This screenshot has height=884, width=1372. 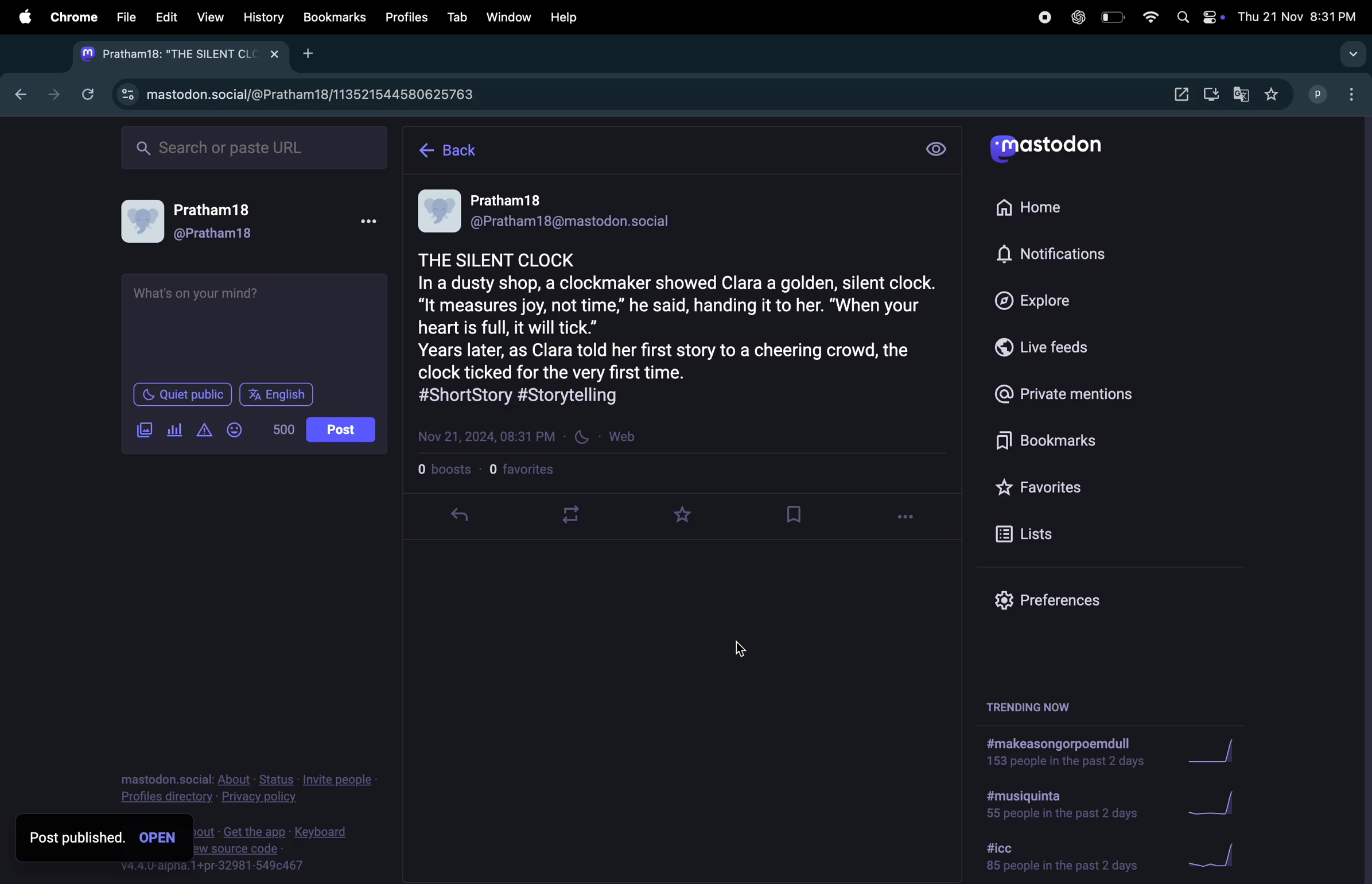 What do you see at coordinates (1216, 752) in the screenshot?
I see `graph` at bounding box center [1216, 752].